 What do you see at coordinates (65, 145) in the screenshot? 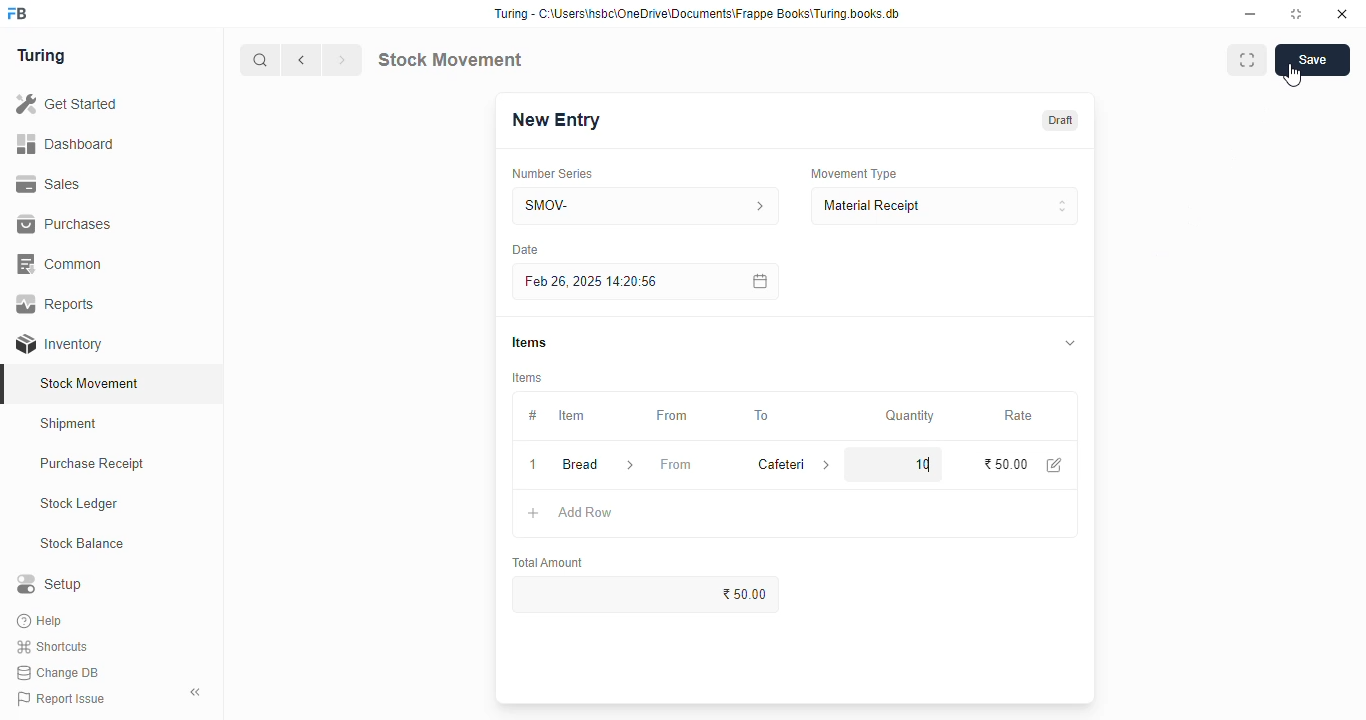
I see `dashboard` at bounding box center [65, 145].